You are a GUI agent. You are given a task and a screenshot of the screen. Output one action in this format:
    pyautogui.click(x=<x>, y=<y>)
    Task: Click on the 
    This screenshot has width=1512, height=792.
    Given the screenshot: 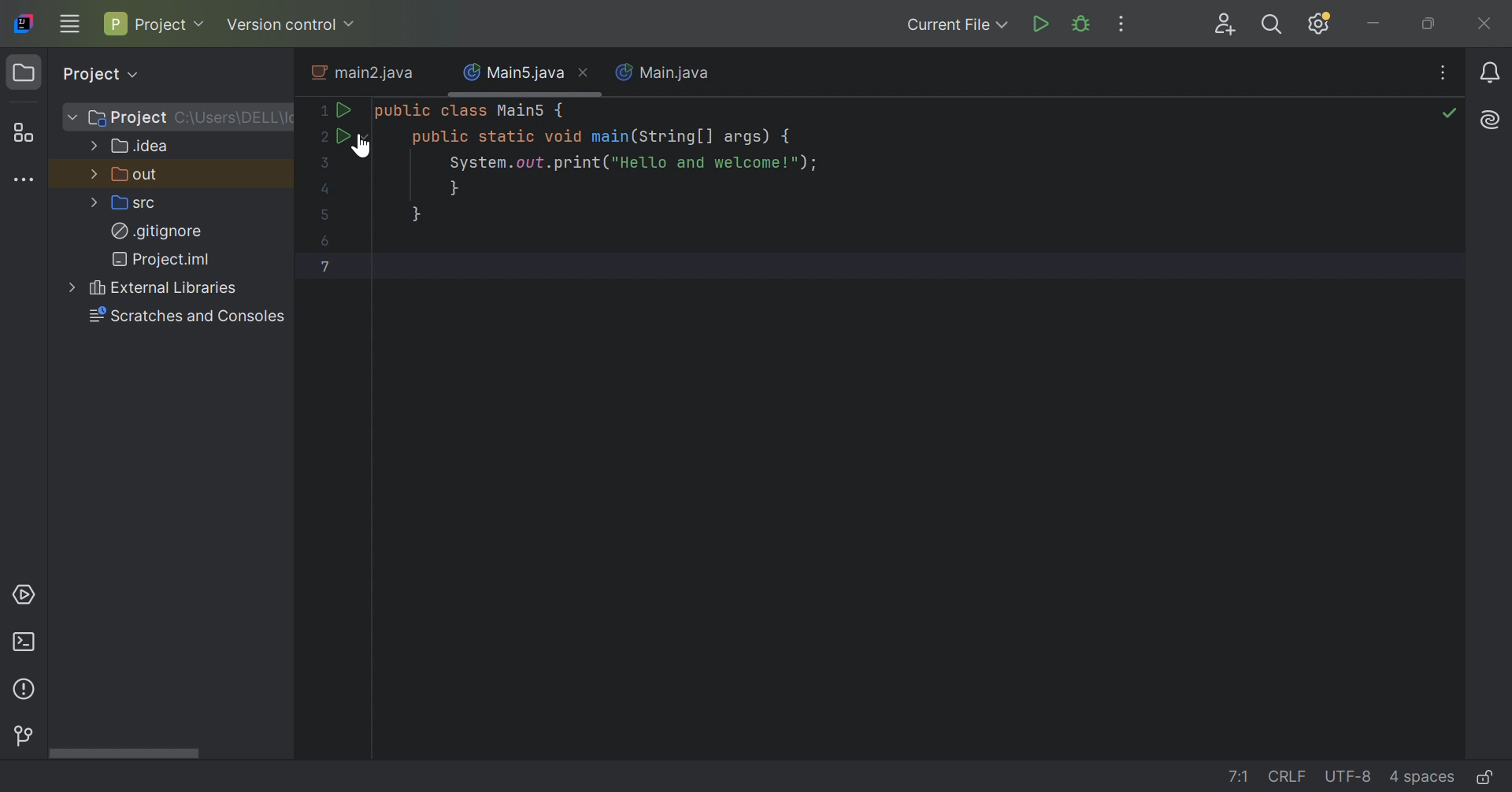 What is the action you would take?
    pyautogui.click(x=417, y=214)
    